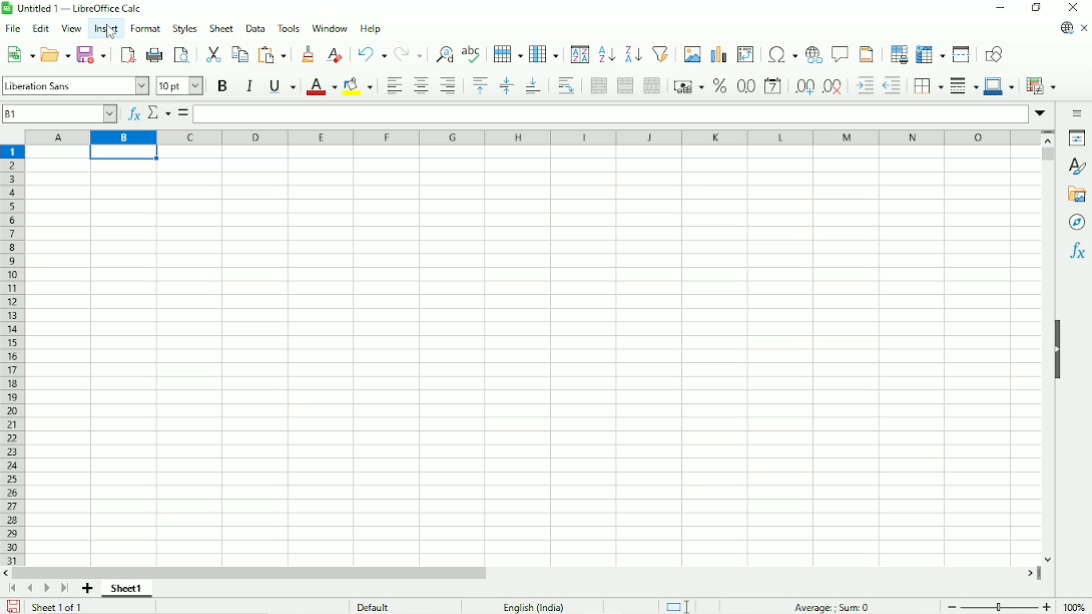 This screenshot has width=1092, height=614. Describe the element at coordinates (962, 54) in the screenshot. I see `Split window` at that location.